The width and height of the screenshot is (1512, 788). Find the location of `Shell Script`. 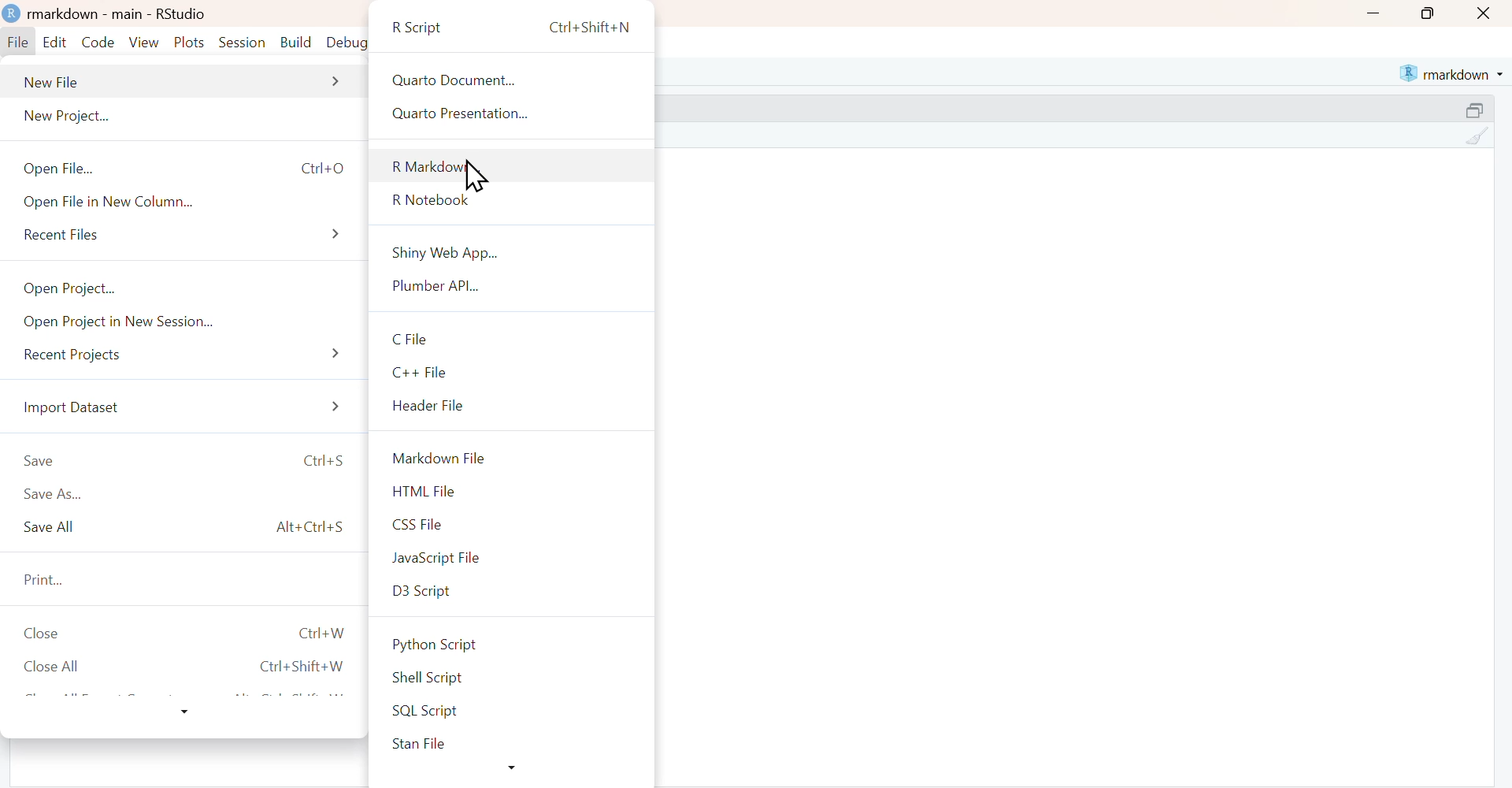

Shell Script is located at coordinates (517, 680).